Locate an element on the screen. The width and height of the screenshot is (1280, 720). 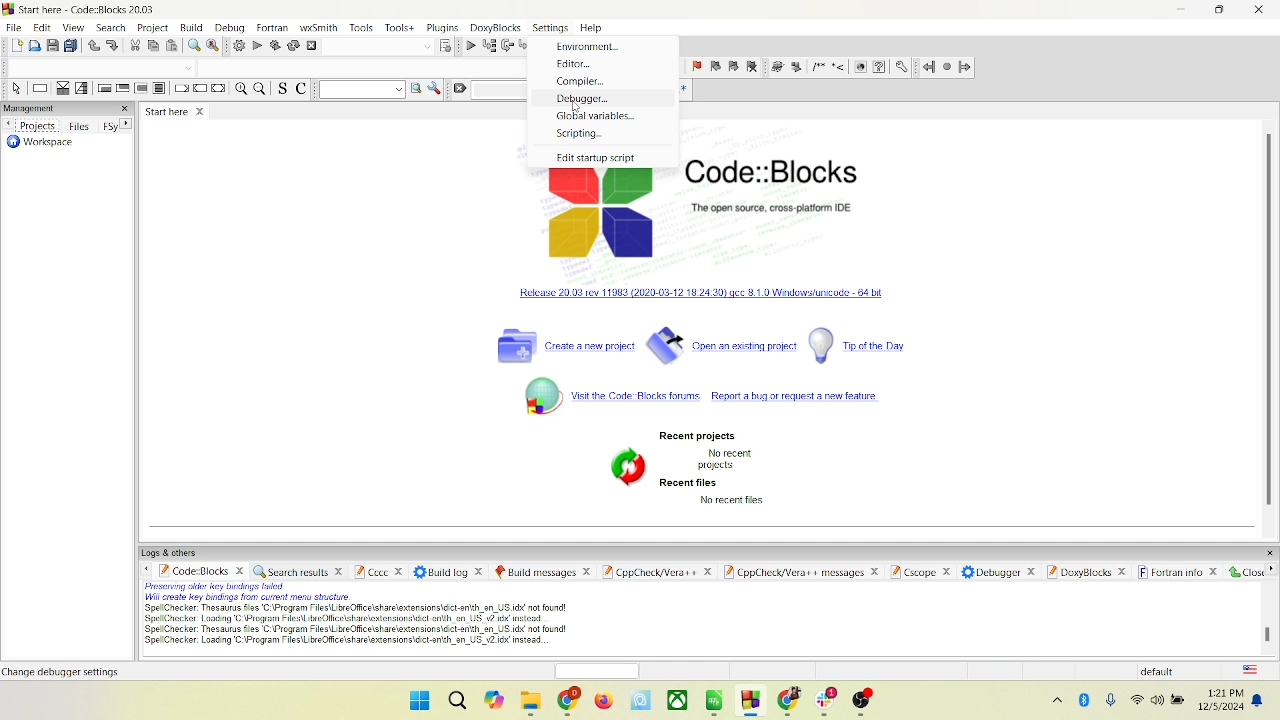
project is located at coordinates (151, 27).